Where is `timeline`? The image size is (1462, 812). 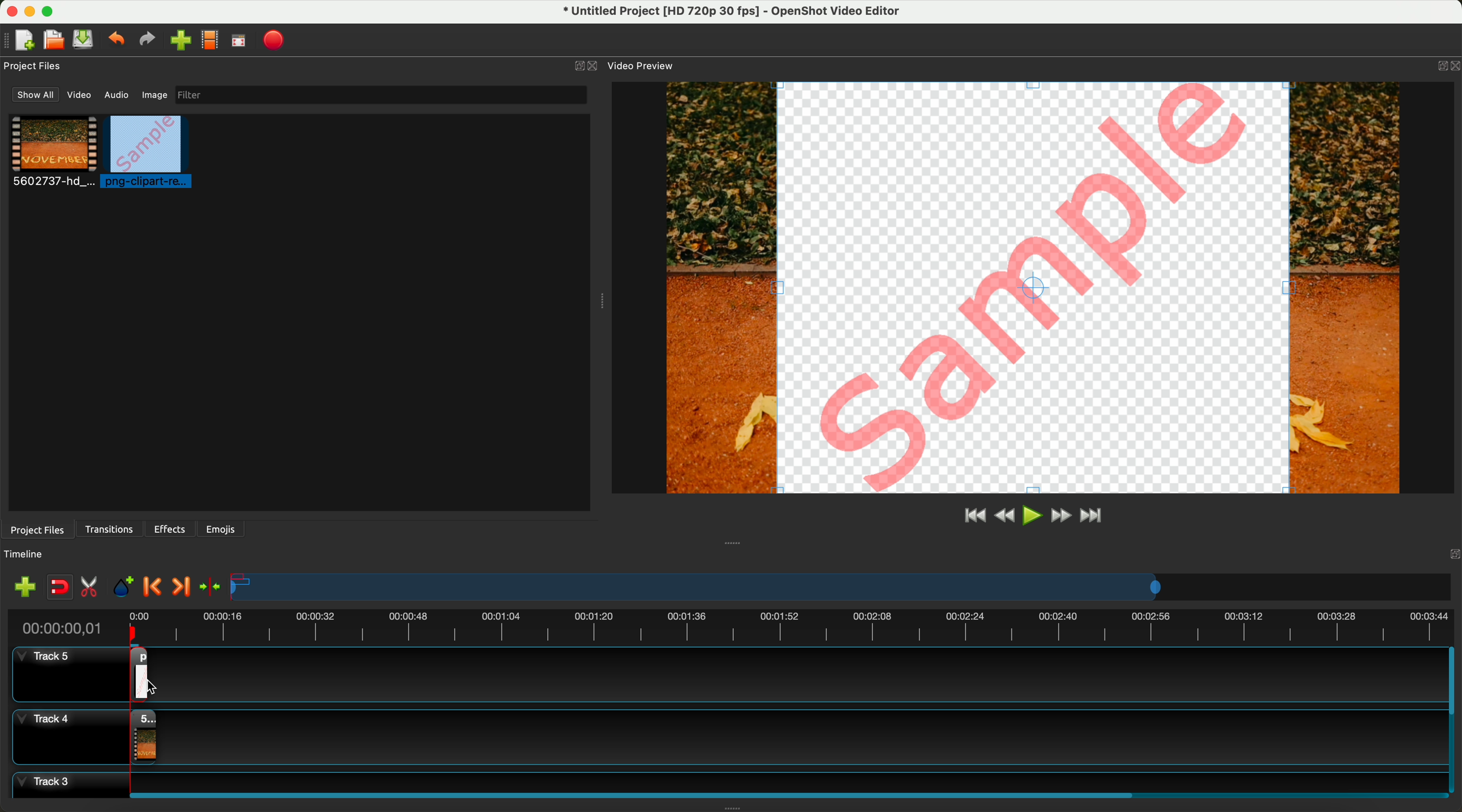 timeline is located at coordinates (30, 554).